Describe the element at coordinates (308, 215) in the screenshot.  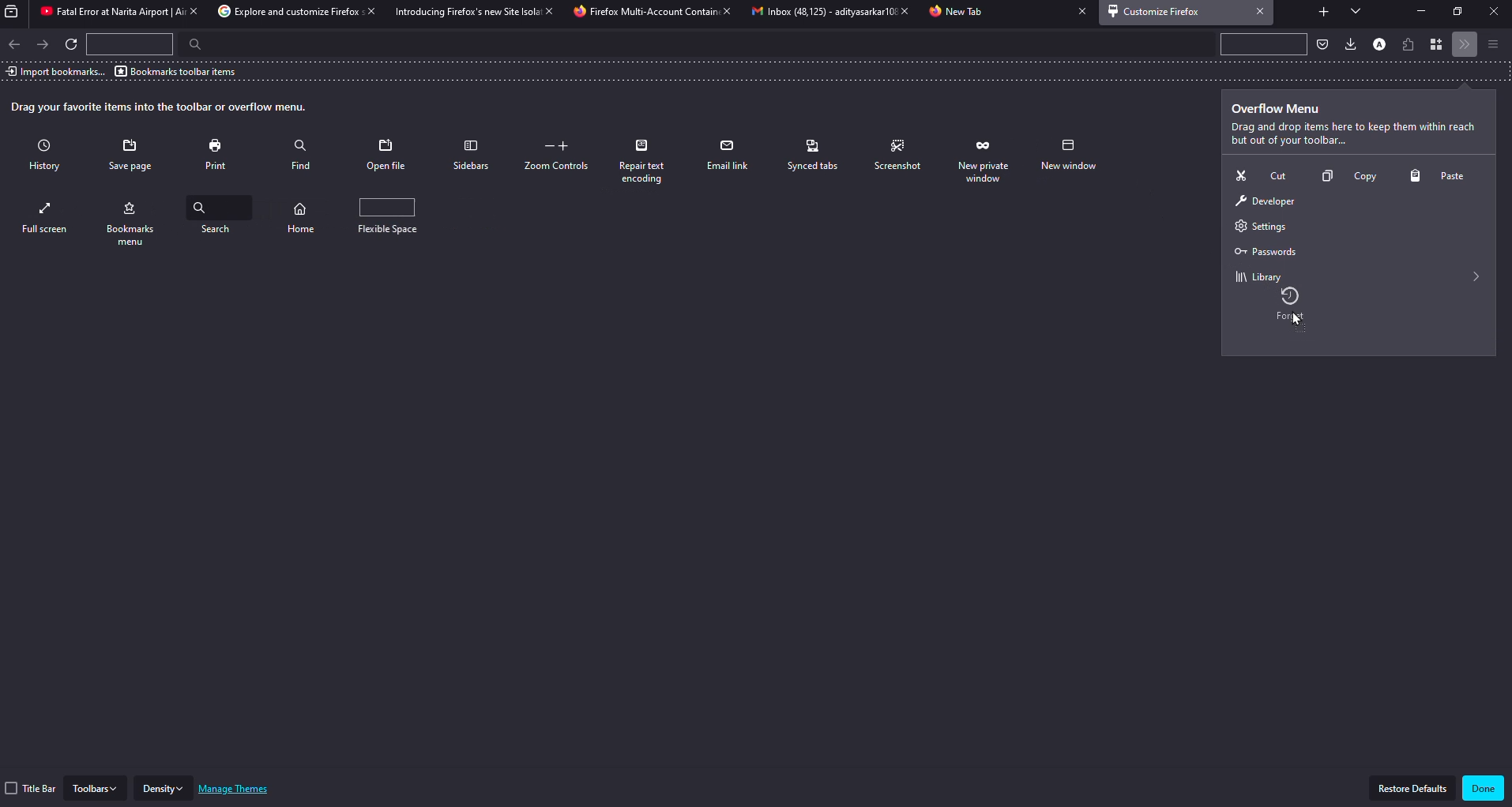
I see `search` at that location.